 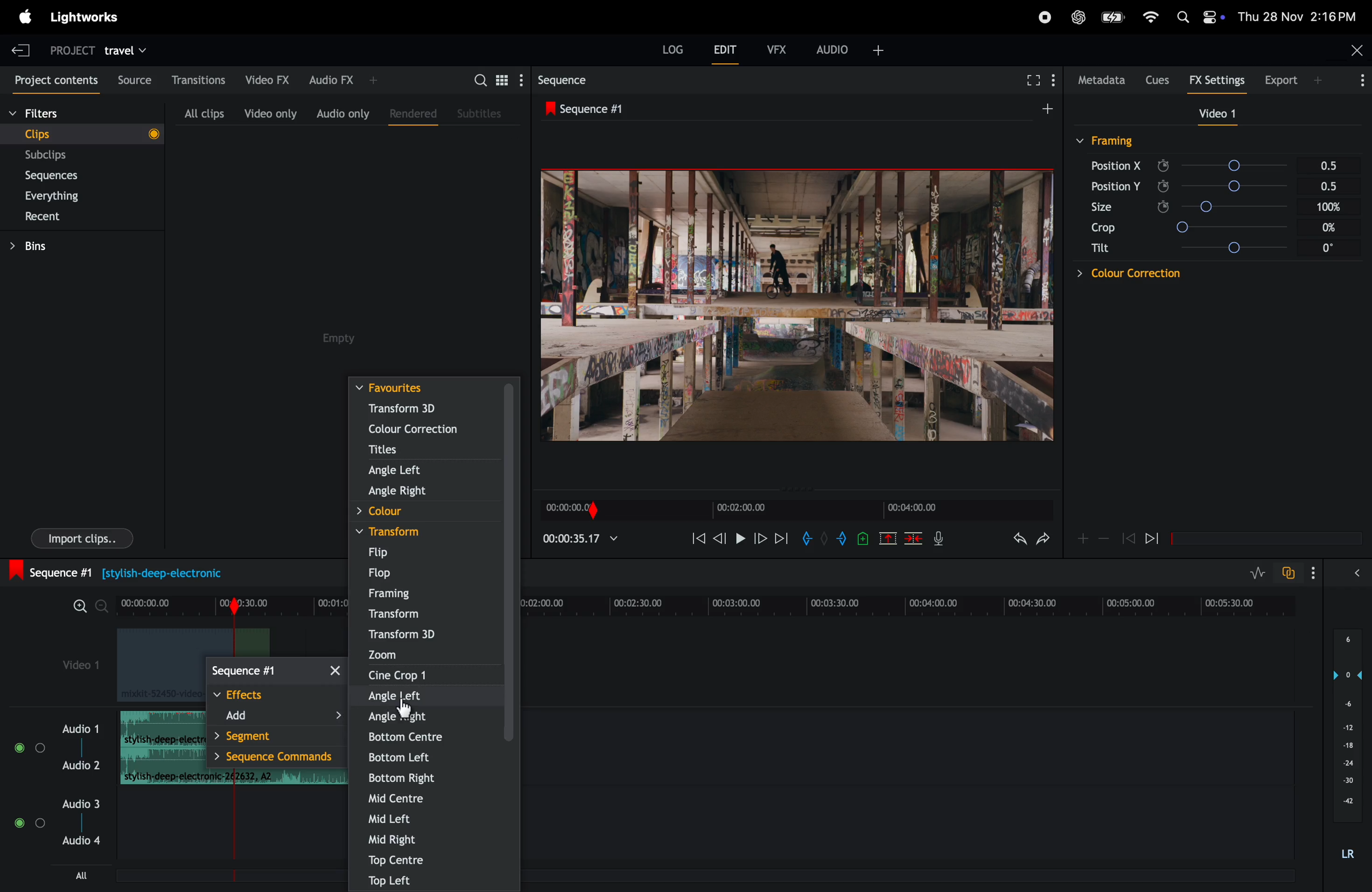 I want to click on cursor, so click(x=405, y=710).